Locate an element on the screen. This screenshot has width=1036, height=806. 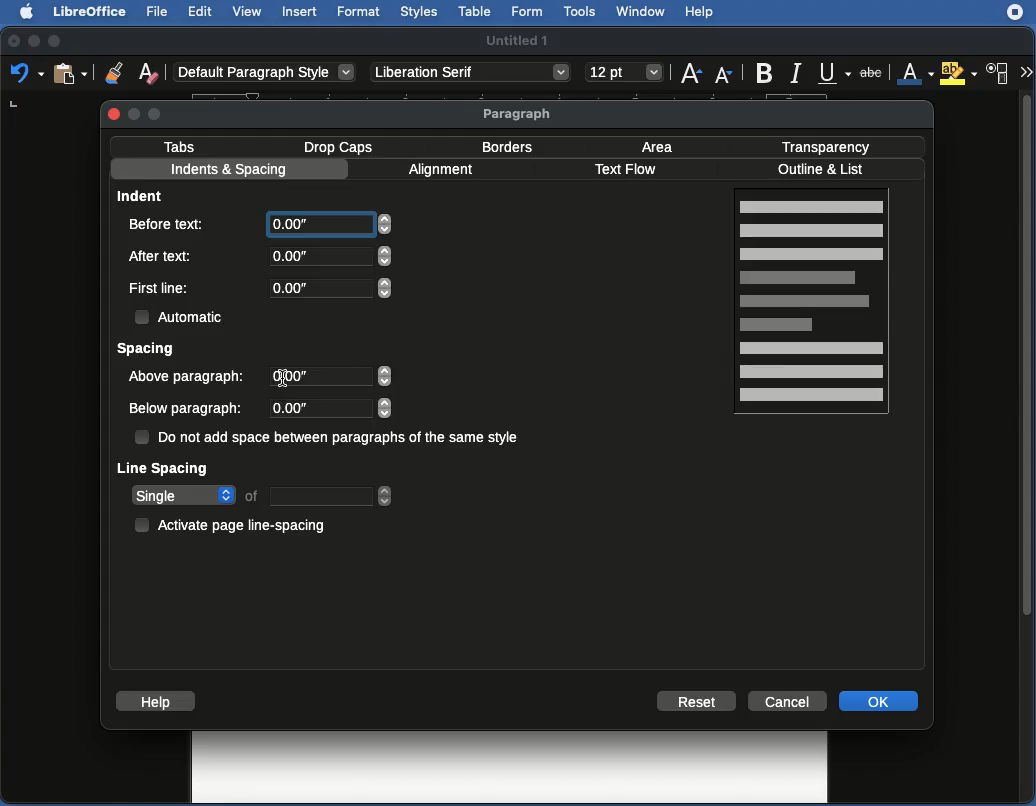
Automatic is located at coordinates (181, 315).